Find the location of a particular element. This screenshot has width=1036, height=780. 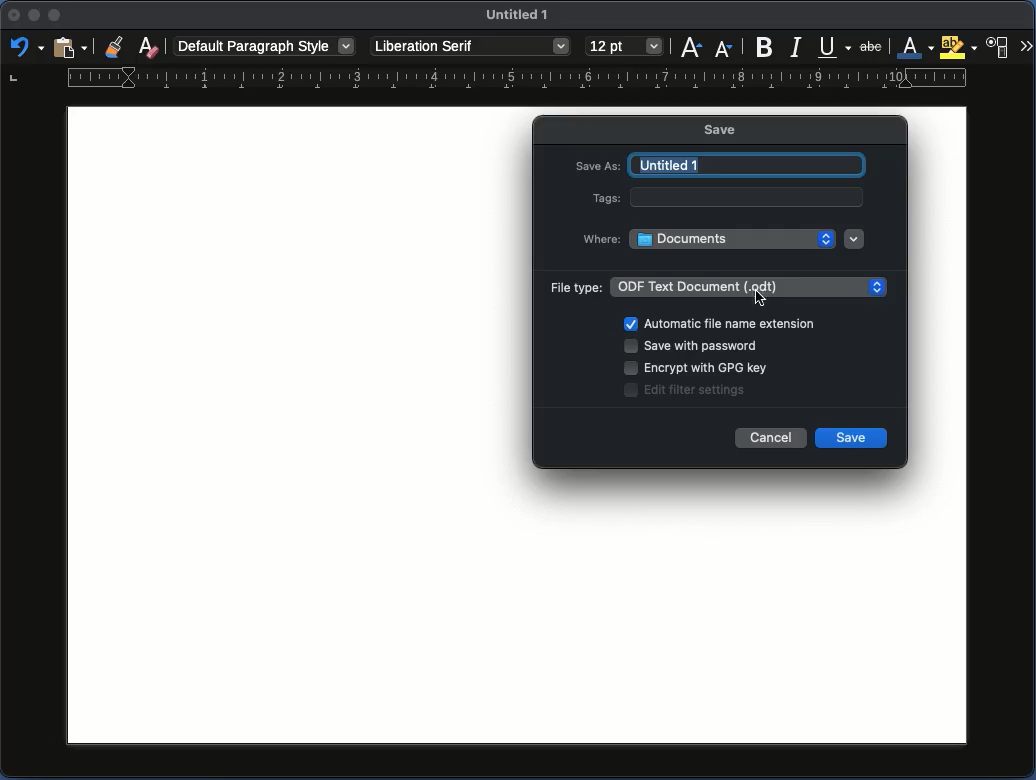

Minimize is located at coordinates (35, 18).